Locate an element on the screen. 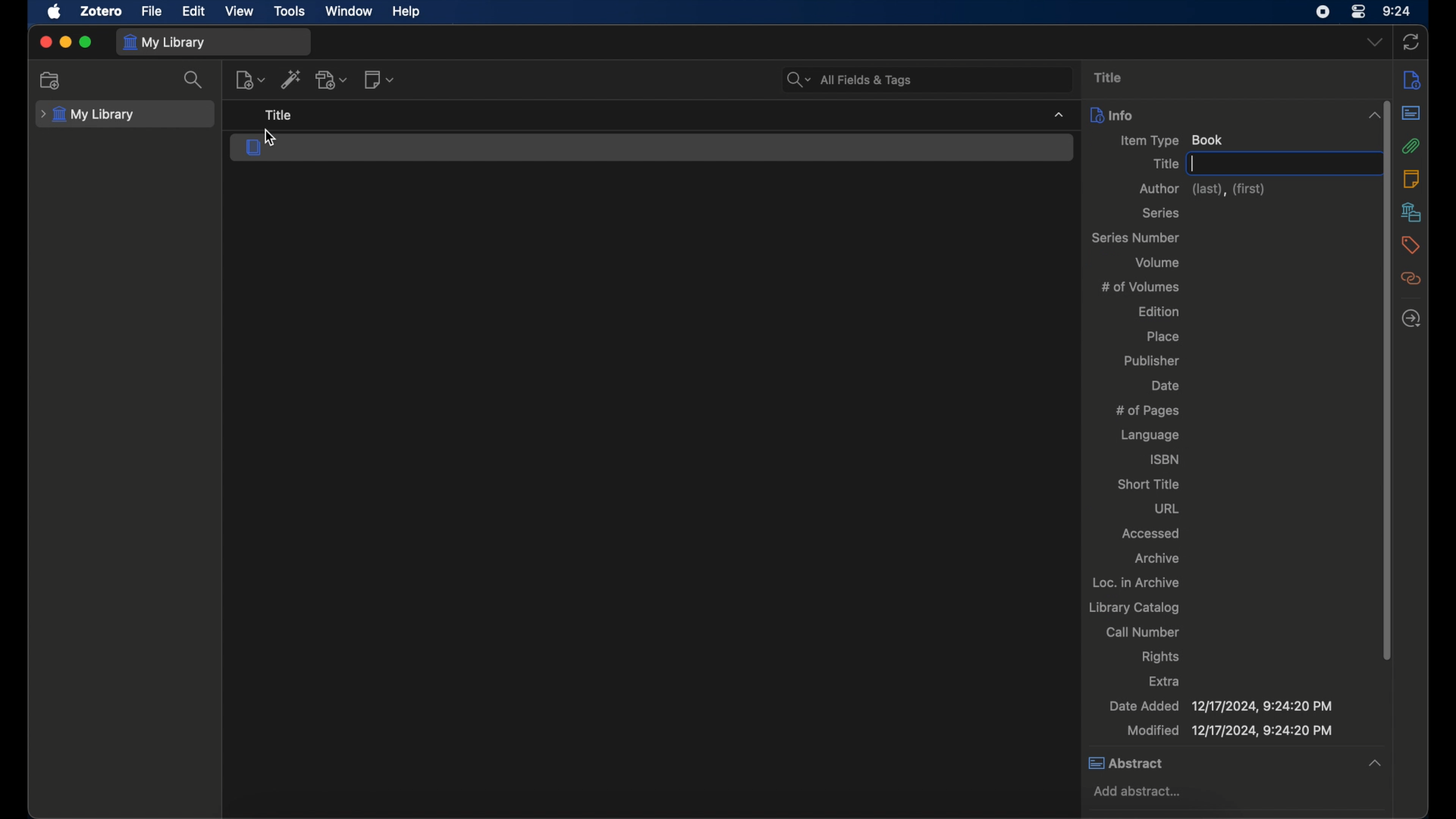  info is located at coordinates (1111, 115).